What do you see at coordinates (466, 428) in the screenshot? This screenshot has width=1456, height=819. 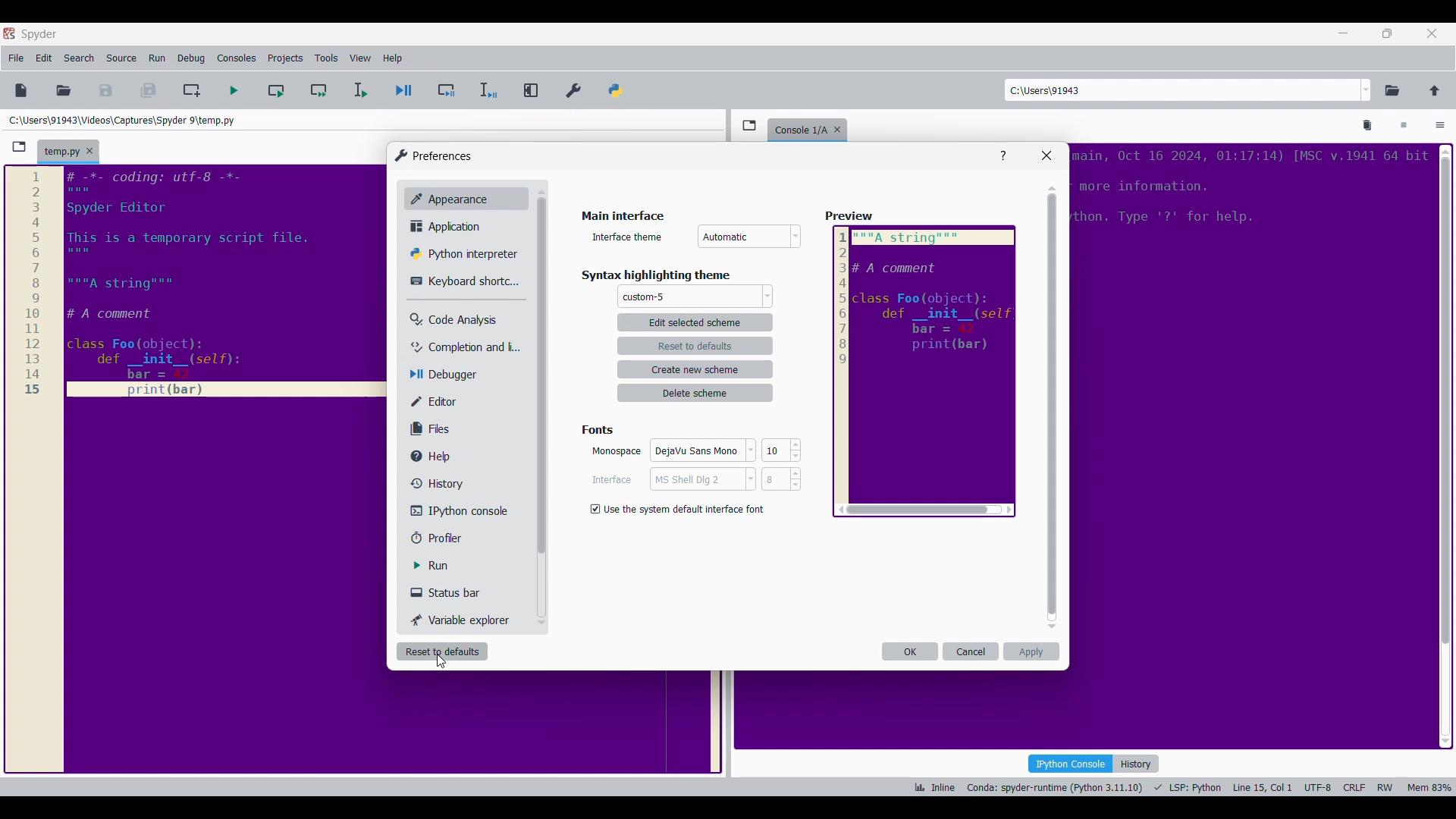 I see `Files` at bounding box center [466, 428].